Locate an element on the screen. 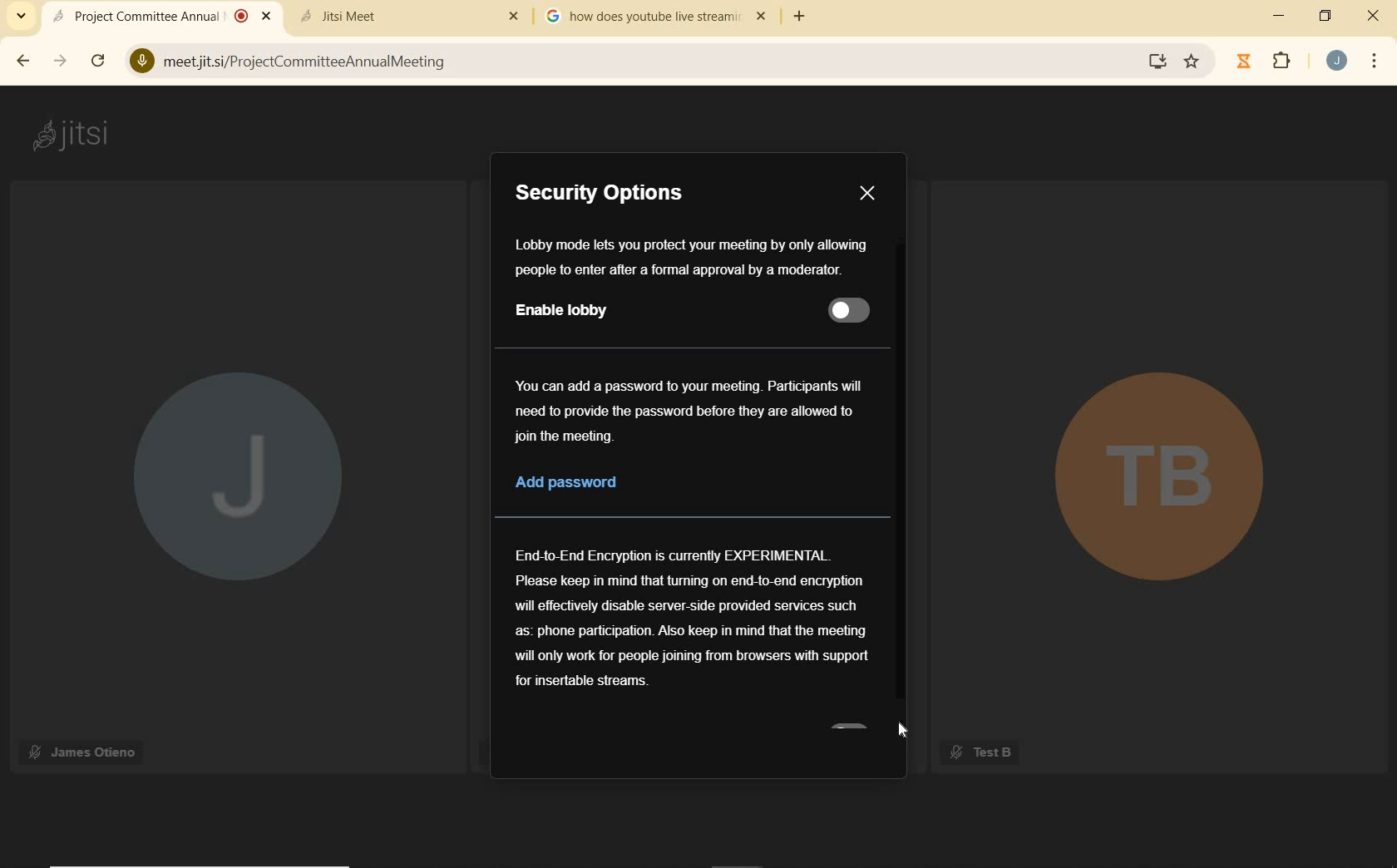 The image size is (1397, 868). ADD PASSWORD is located at coordinates (582, 481).